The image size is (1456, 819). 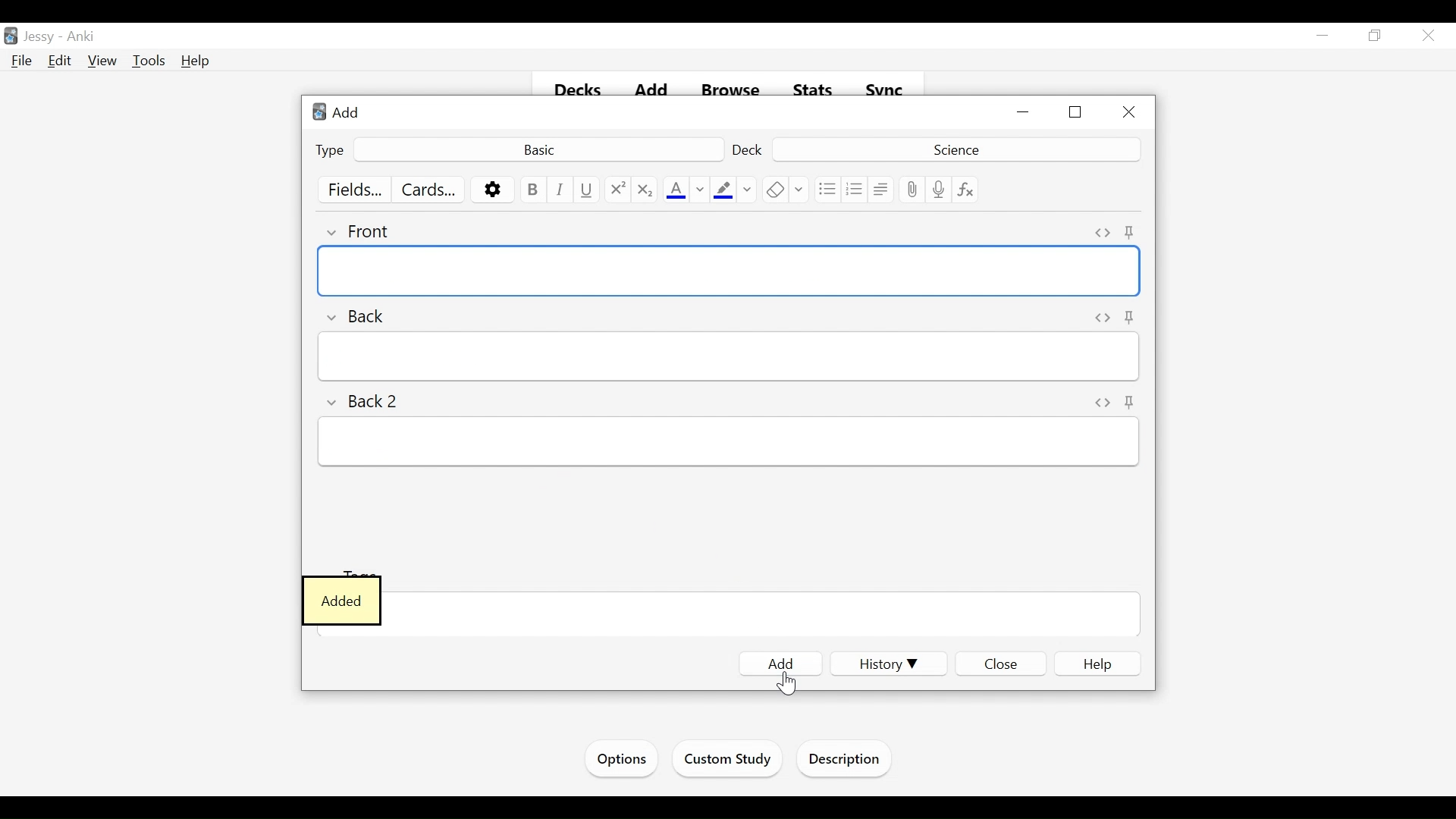 What do you see at coordinates (1000, 666) in the screenshot?
I see `Close` at bounding box center [1000, 666].